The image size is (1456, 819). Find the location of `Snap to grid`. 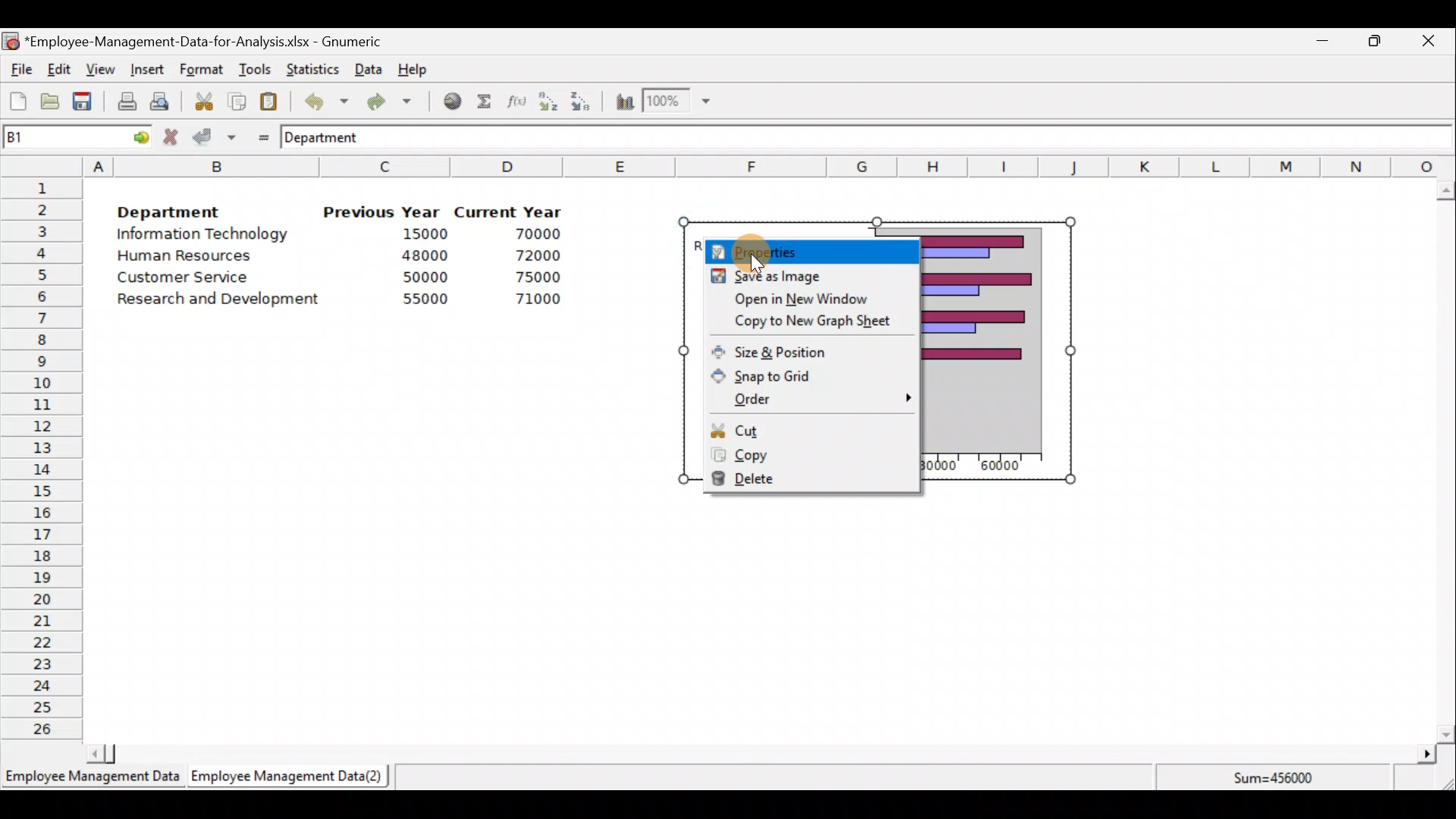

Snap to grid is located at coordinates (806, 373).